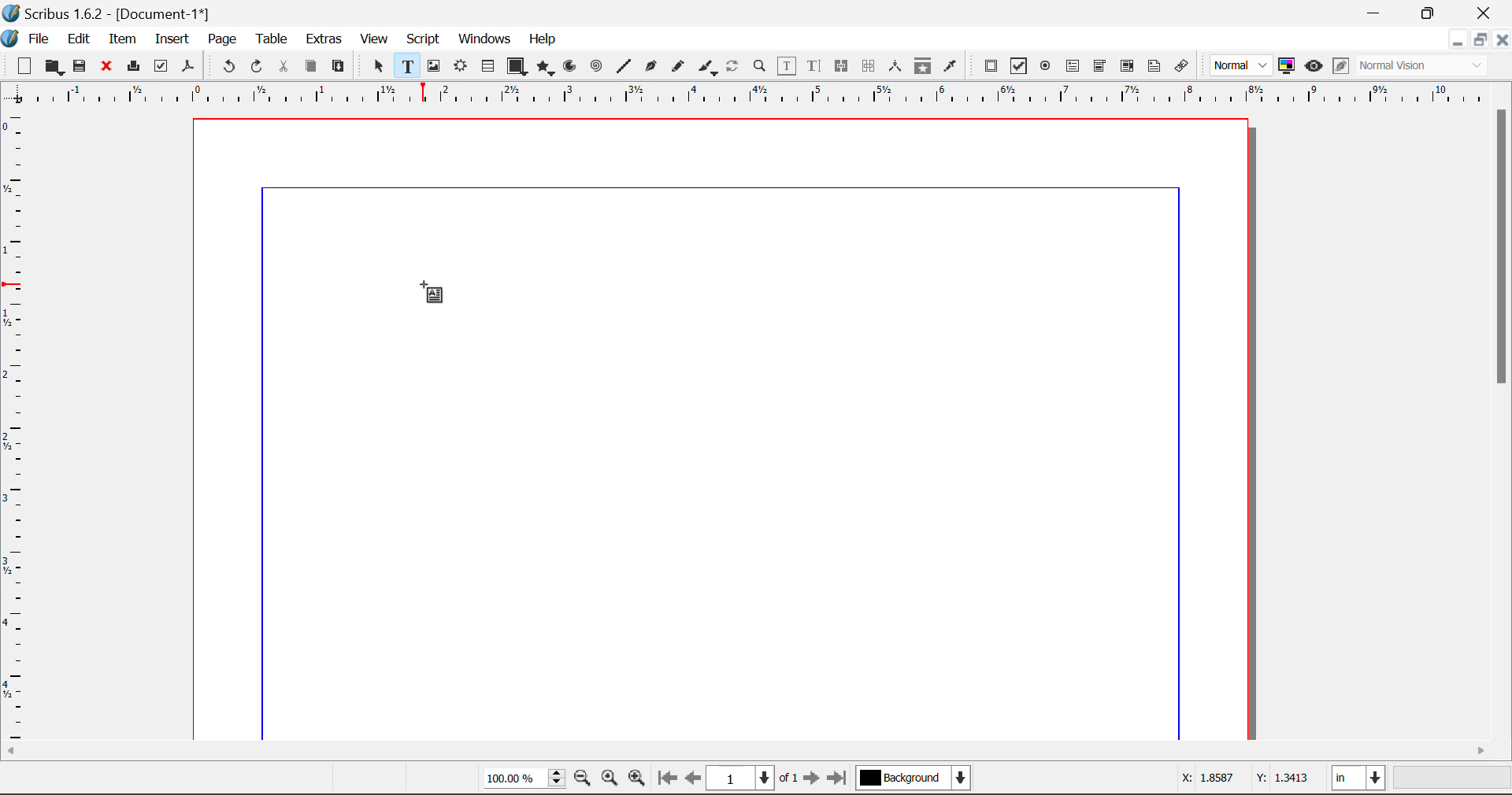  I want to click on Zoom 100%, so click(524, 779).